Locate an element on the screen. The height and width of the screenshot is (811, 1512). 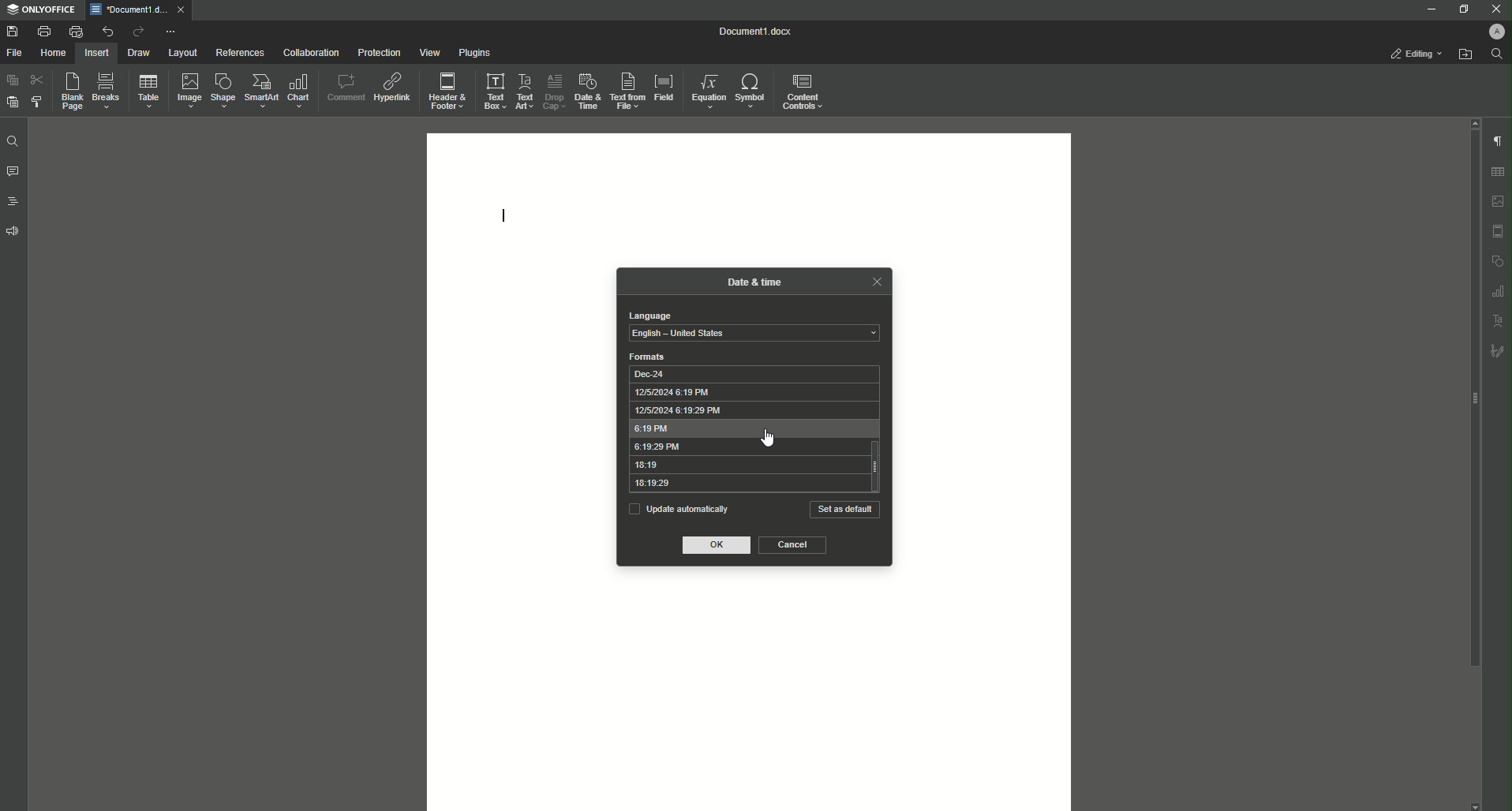
Quick print is located at coordinates (75, 32).